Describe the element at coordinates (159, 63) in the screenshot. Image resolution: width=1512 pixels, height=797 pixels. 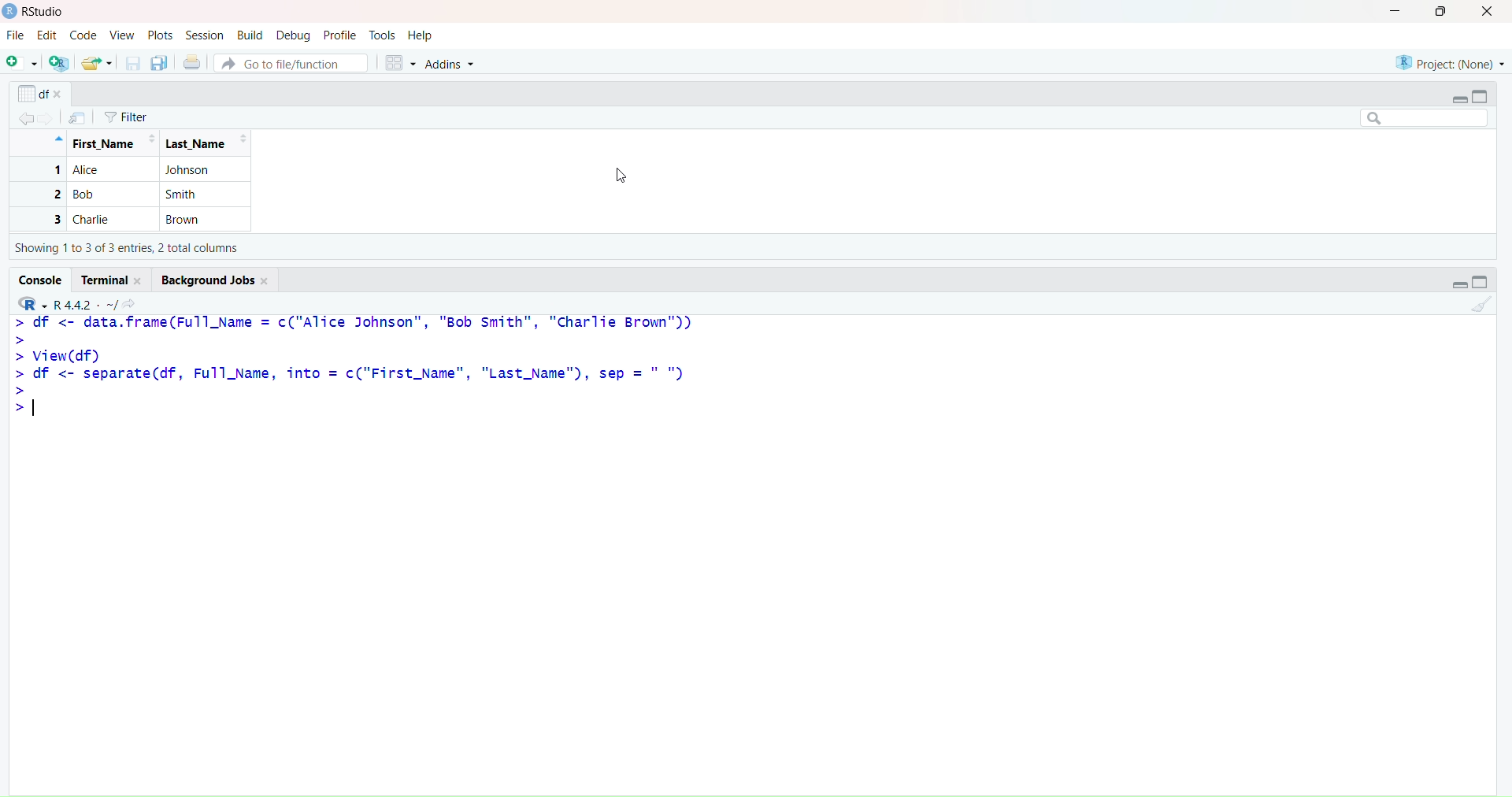
I see `Save all open documents (Ctrl + Alt + S)` at that location.